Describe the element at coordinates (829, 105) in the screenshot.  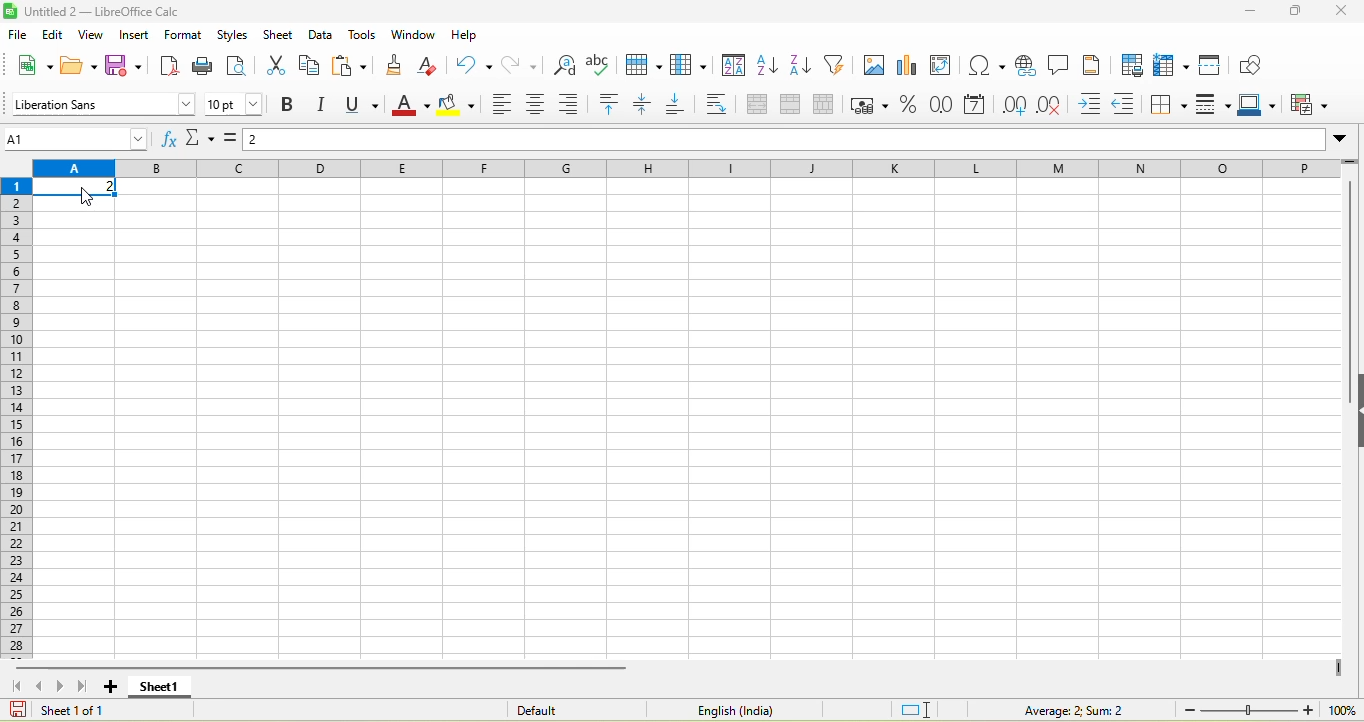
I see `split` at that location.